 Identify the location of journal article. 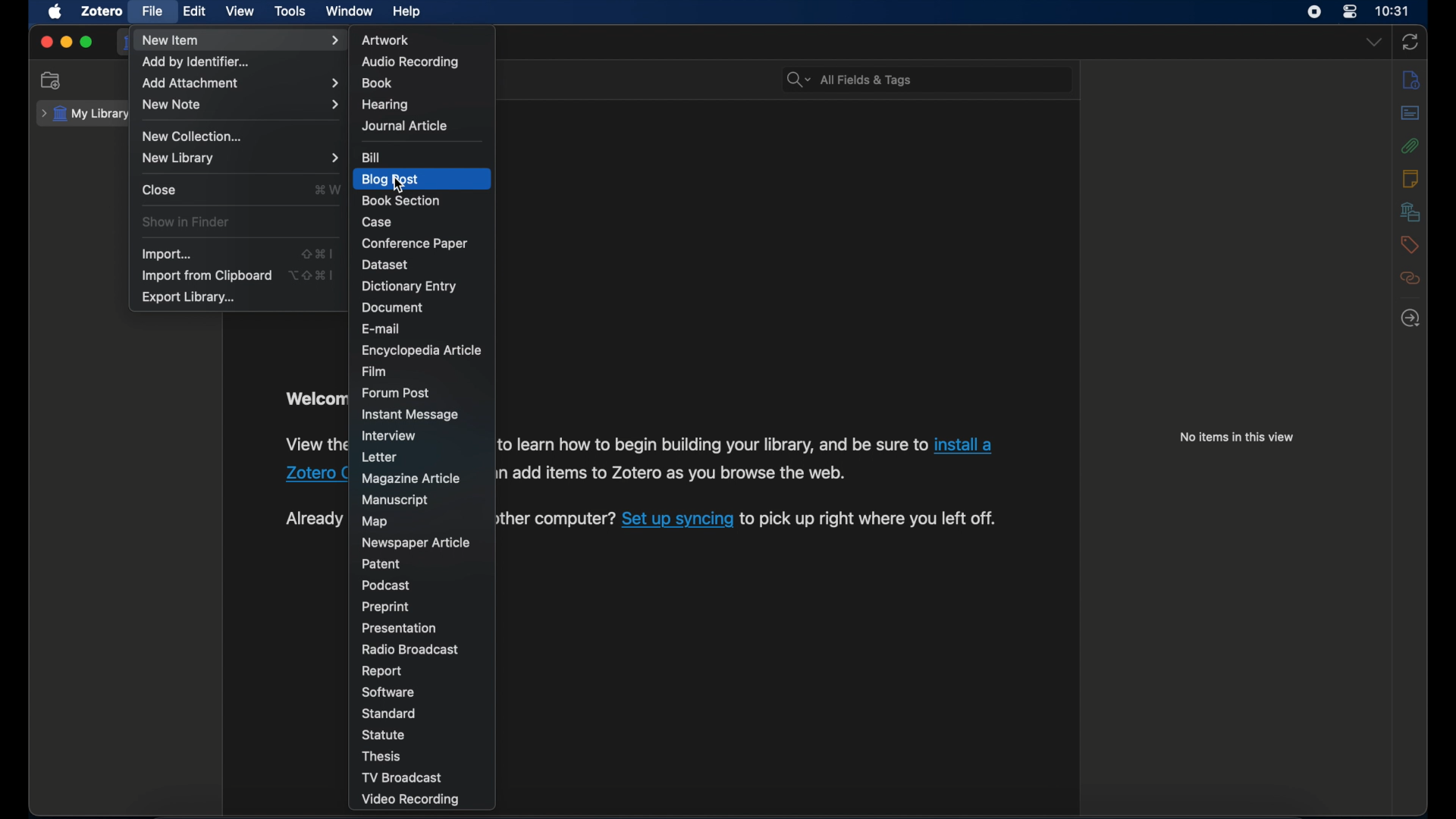
(403, 126).